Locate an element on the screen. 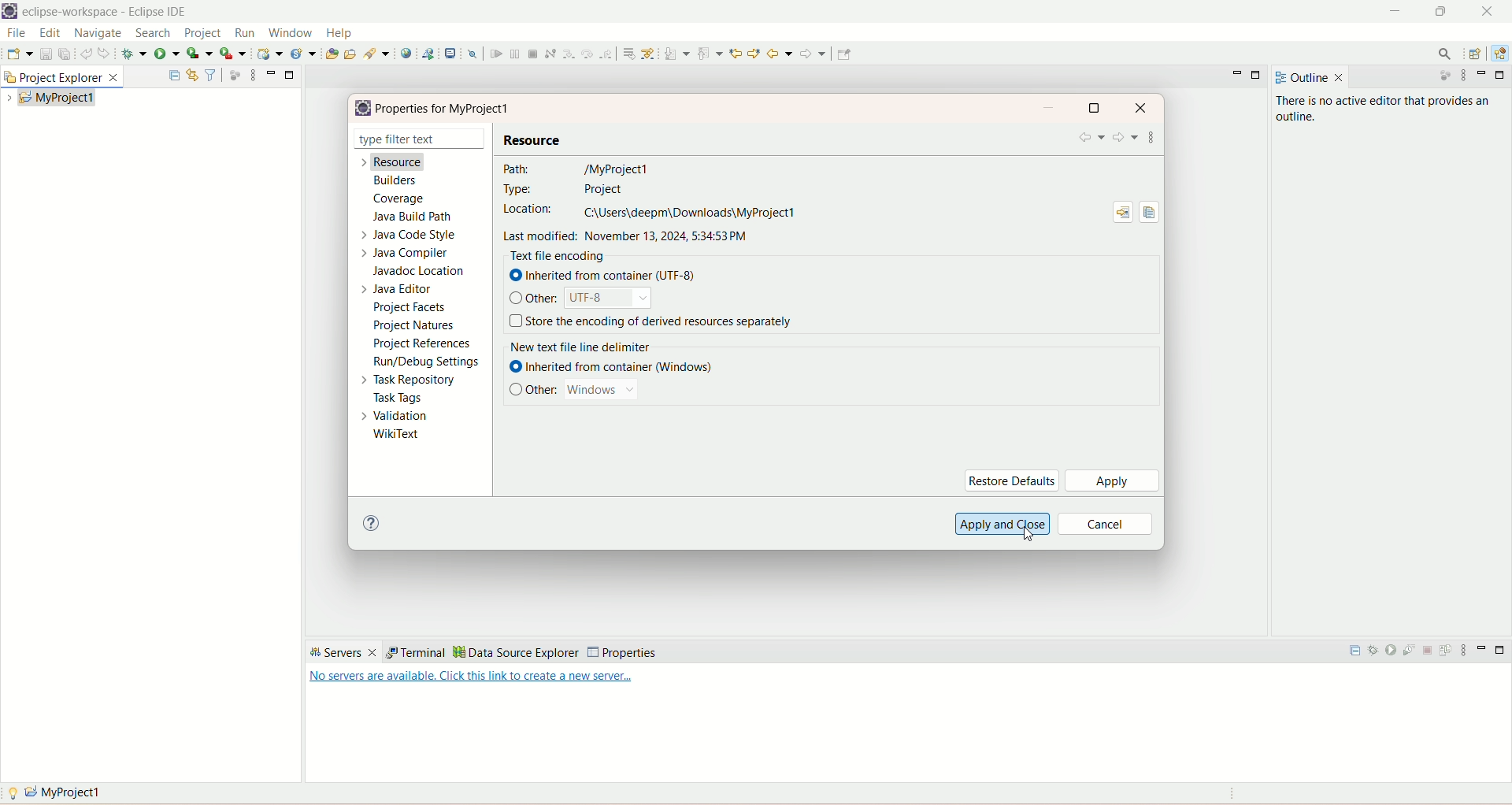 The image size is (1512, 805). run is located at coordinates (169, 54).